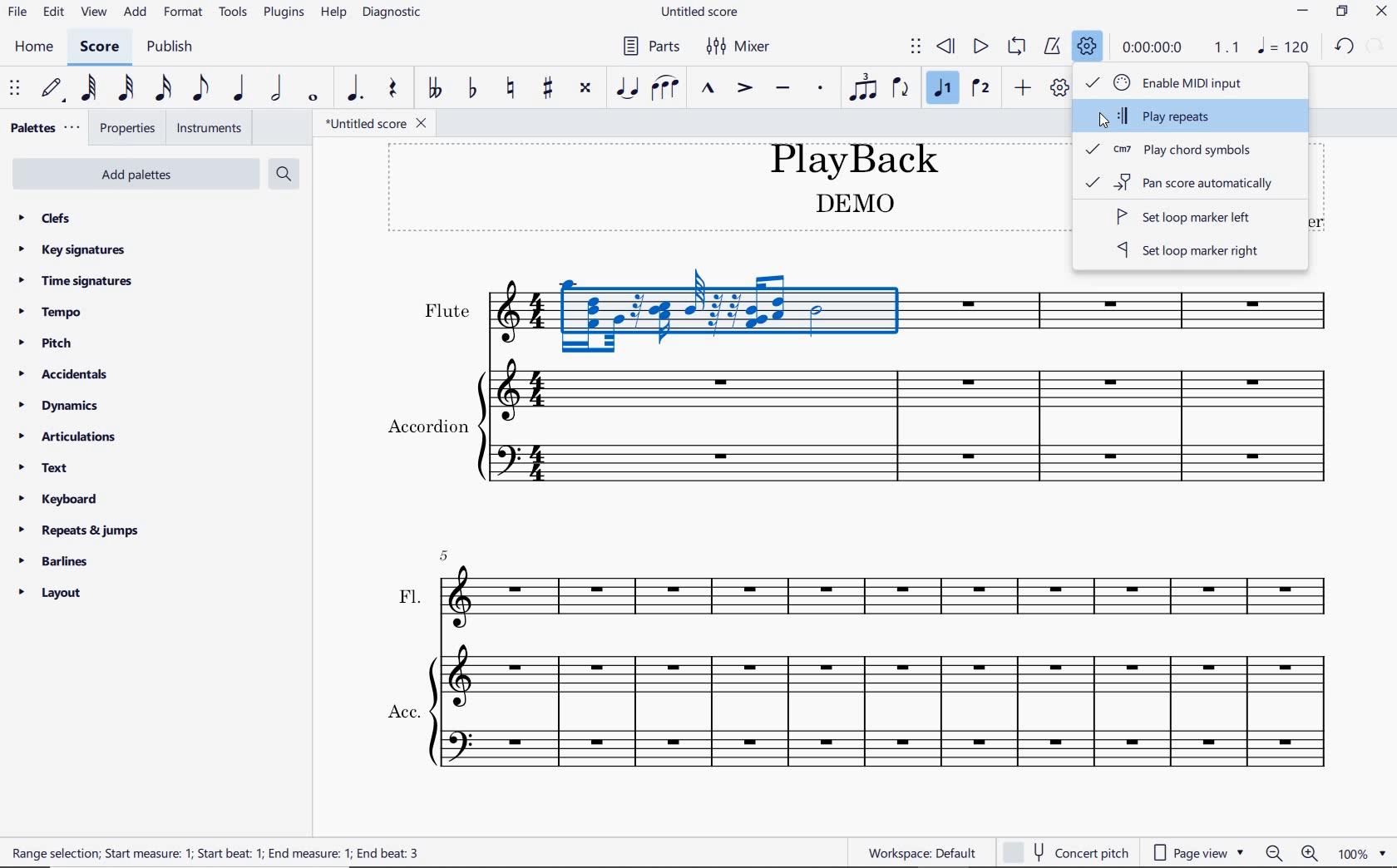 The height and width of the screenshot is (868, 1397). I want to click on playback time, so click(1151, 47).